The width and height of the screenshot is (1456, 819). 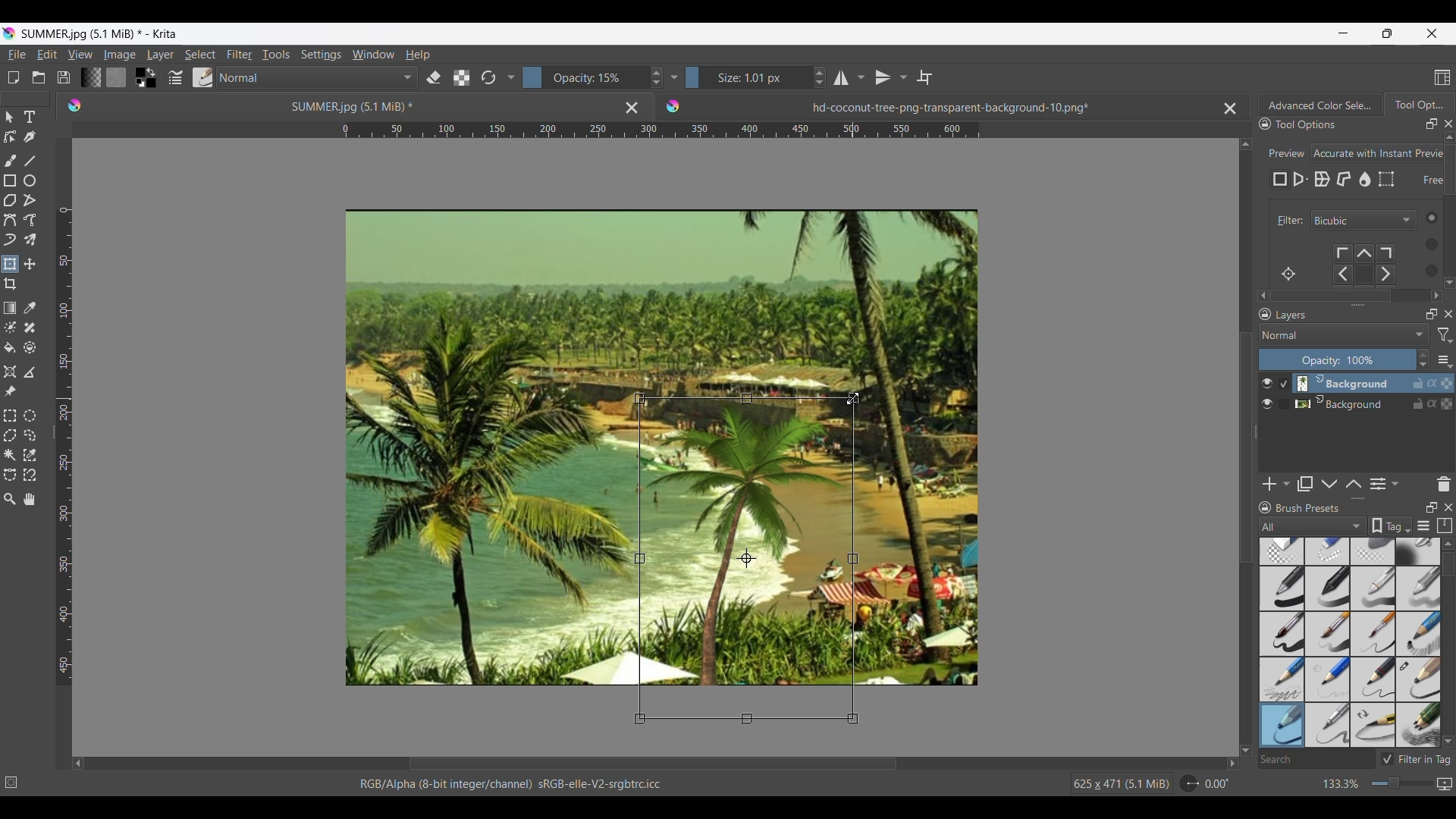 What do you see at coordinates (1426, 243) in the screenshot?
I see `Select` at bounding box center [1426, 243].